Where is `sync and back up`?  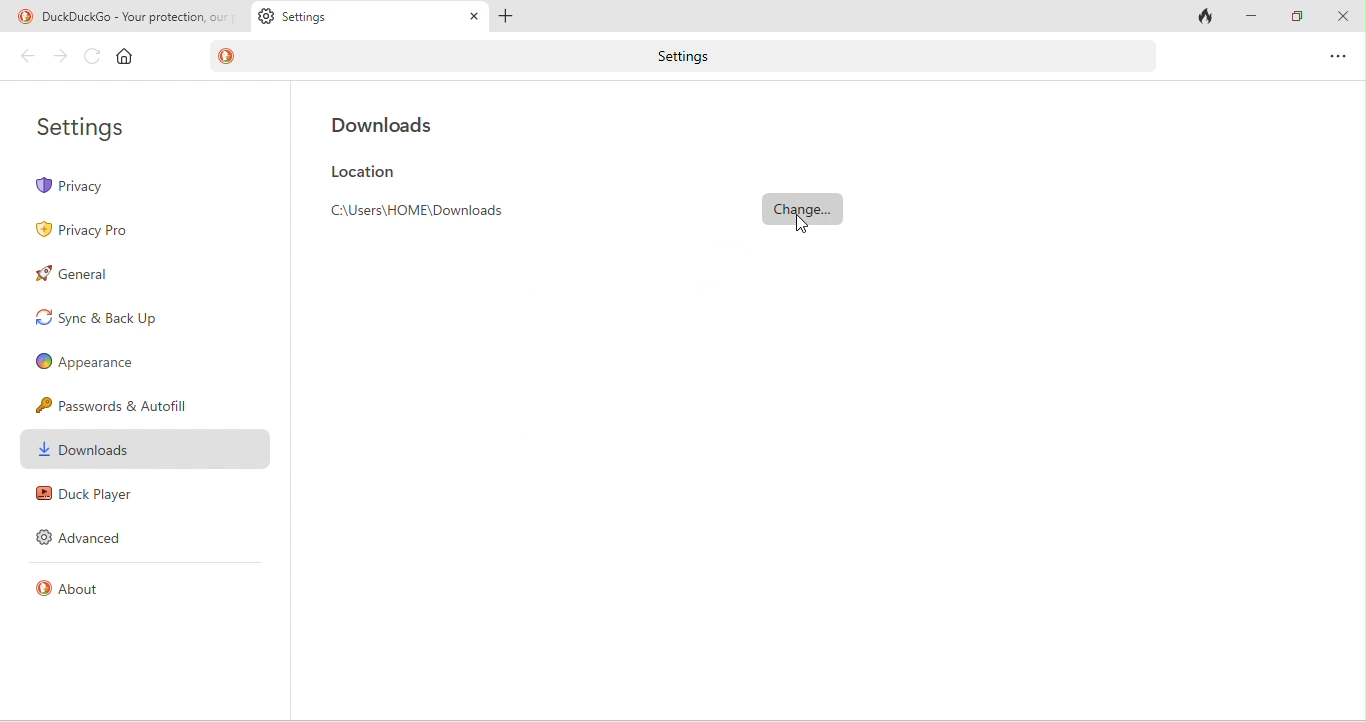
sync and back up is located at coordinates (106, 321).